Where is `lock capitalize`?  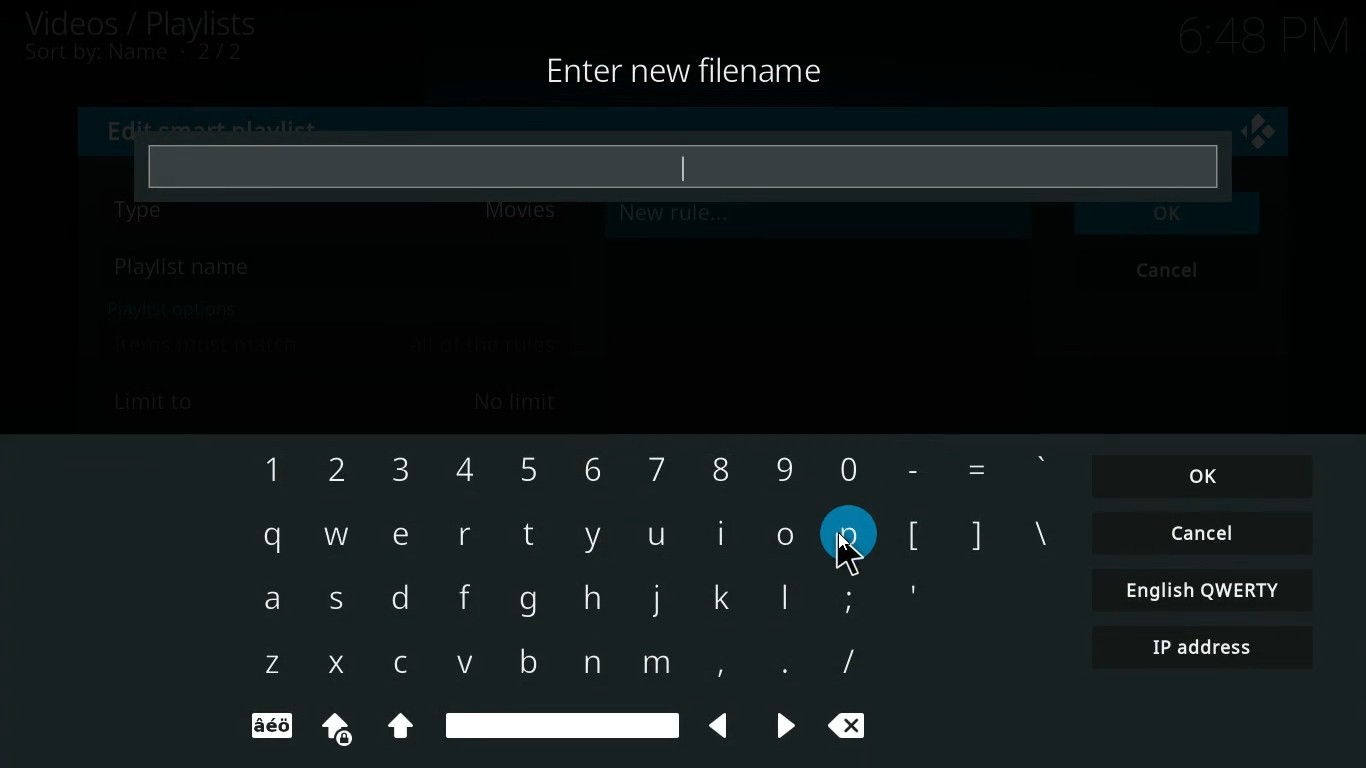
lock capitalize is located at coordinates (330, 729).